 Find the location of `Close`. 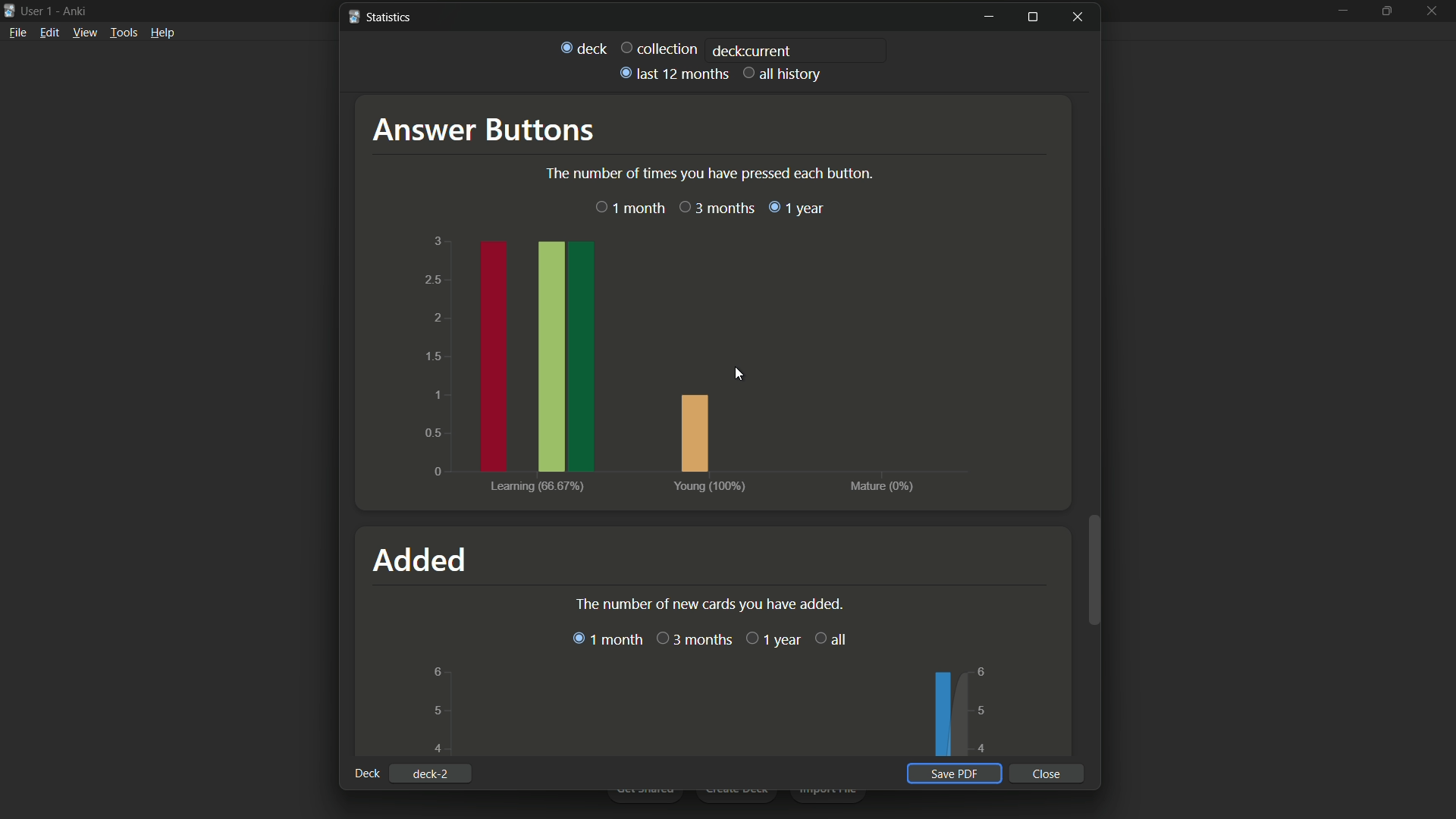

Close is located at coordinates (1081, 17).